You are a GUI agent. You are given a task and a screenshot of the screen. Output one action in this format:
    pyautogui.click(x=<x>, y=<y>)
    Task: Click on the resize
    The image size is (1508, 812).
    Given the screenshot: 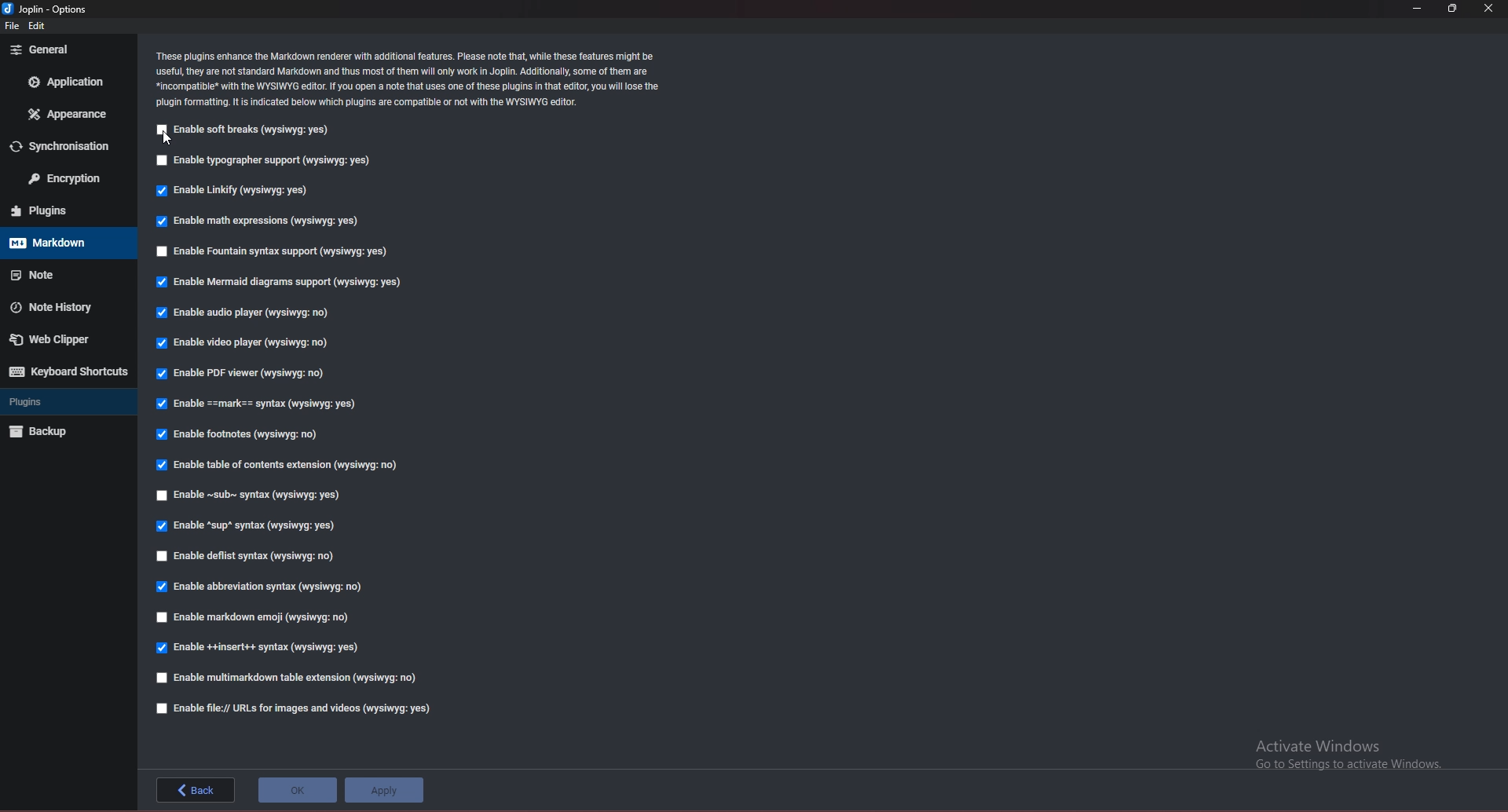 What is the action you would take?
    pyautogui.click(x=1453, y=9)
    